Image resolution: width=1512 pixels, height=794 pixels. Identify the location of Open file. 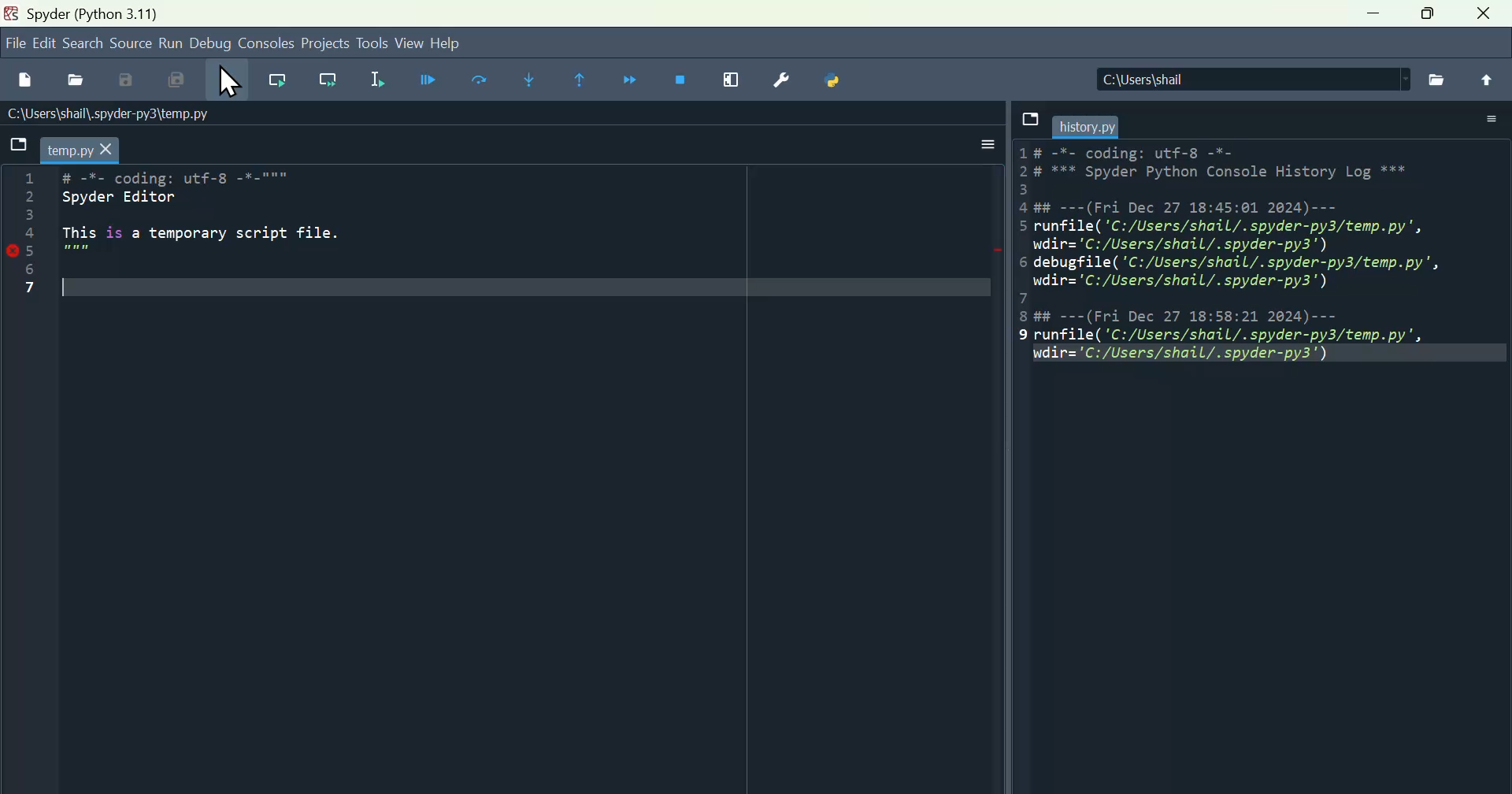
(76, 83).